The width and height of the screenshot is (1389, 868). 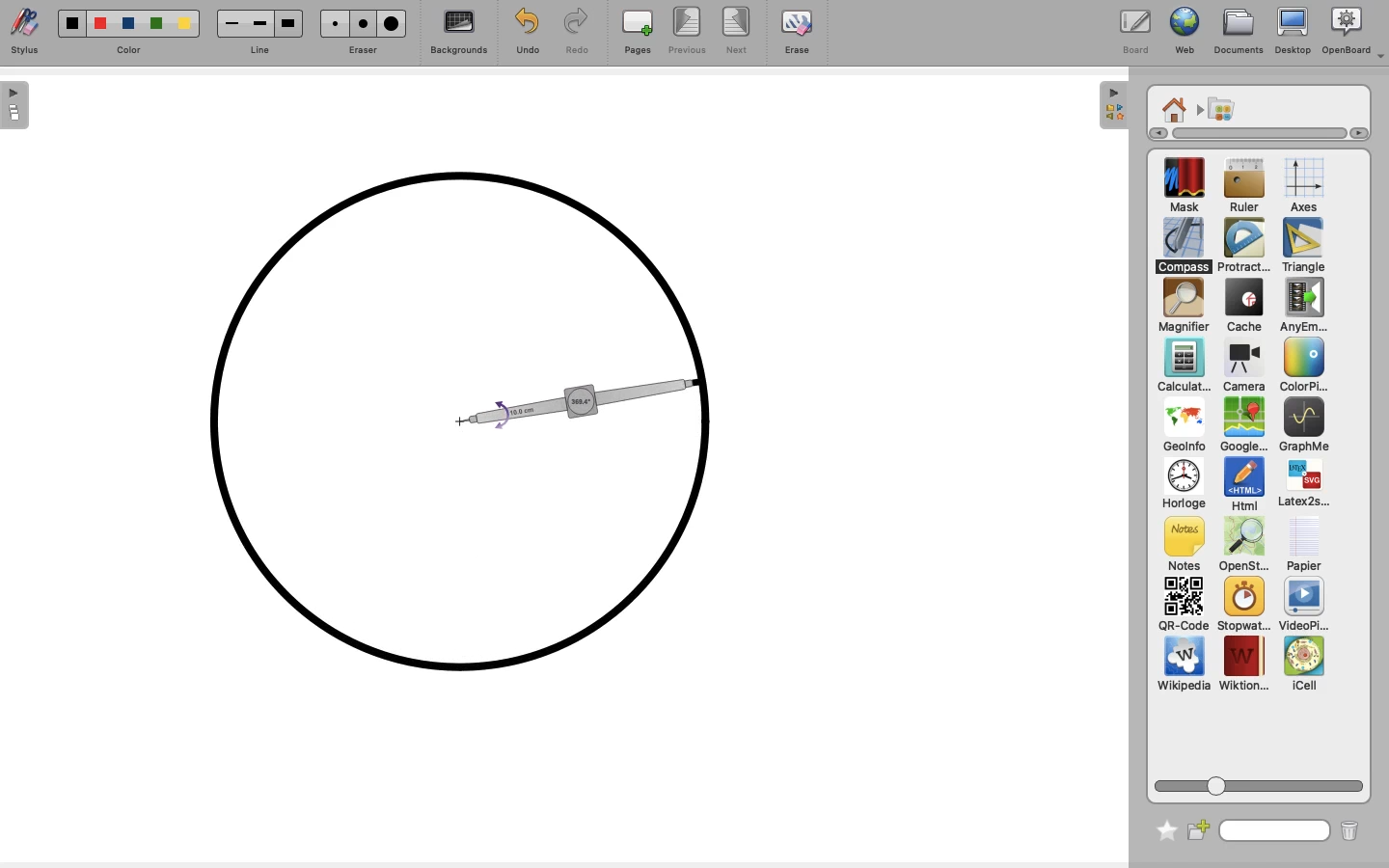 What do you see at coordinates (1250, 133) in the screenshot?
I see `Scroll` at bounding box center [1250, 133].